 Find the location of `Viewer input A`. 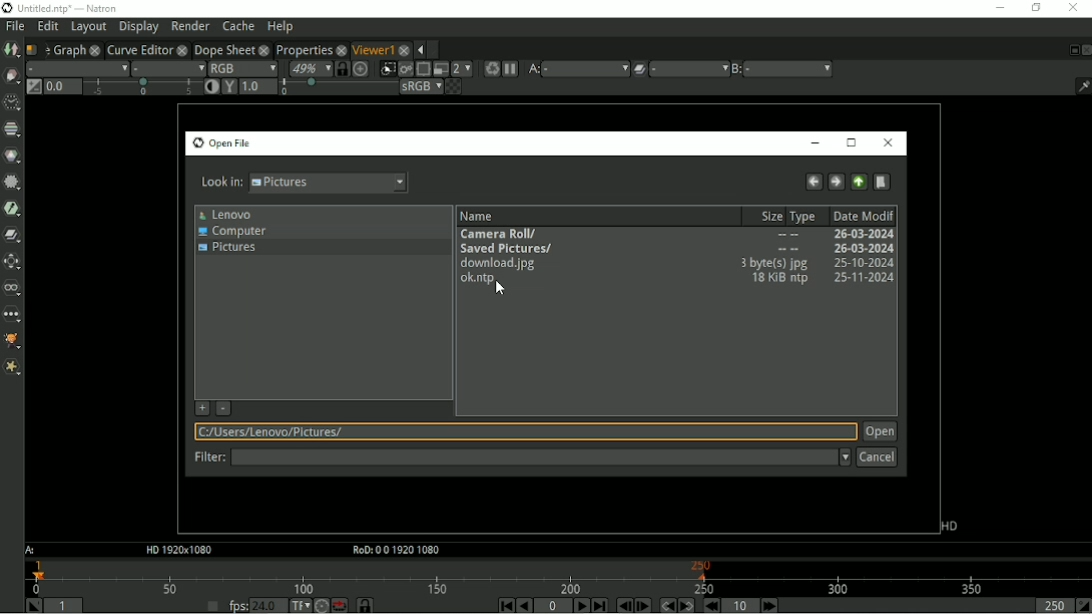

Viewer input A is located at coordinates (532, 69).